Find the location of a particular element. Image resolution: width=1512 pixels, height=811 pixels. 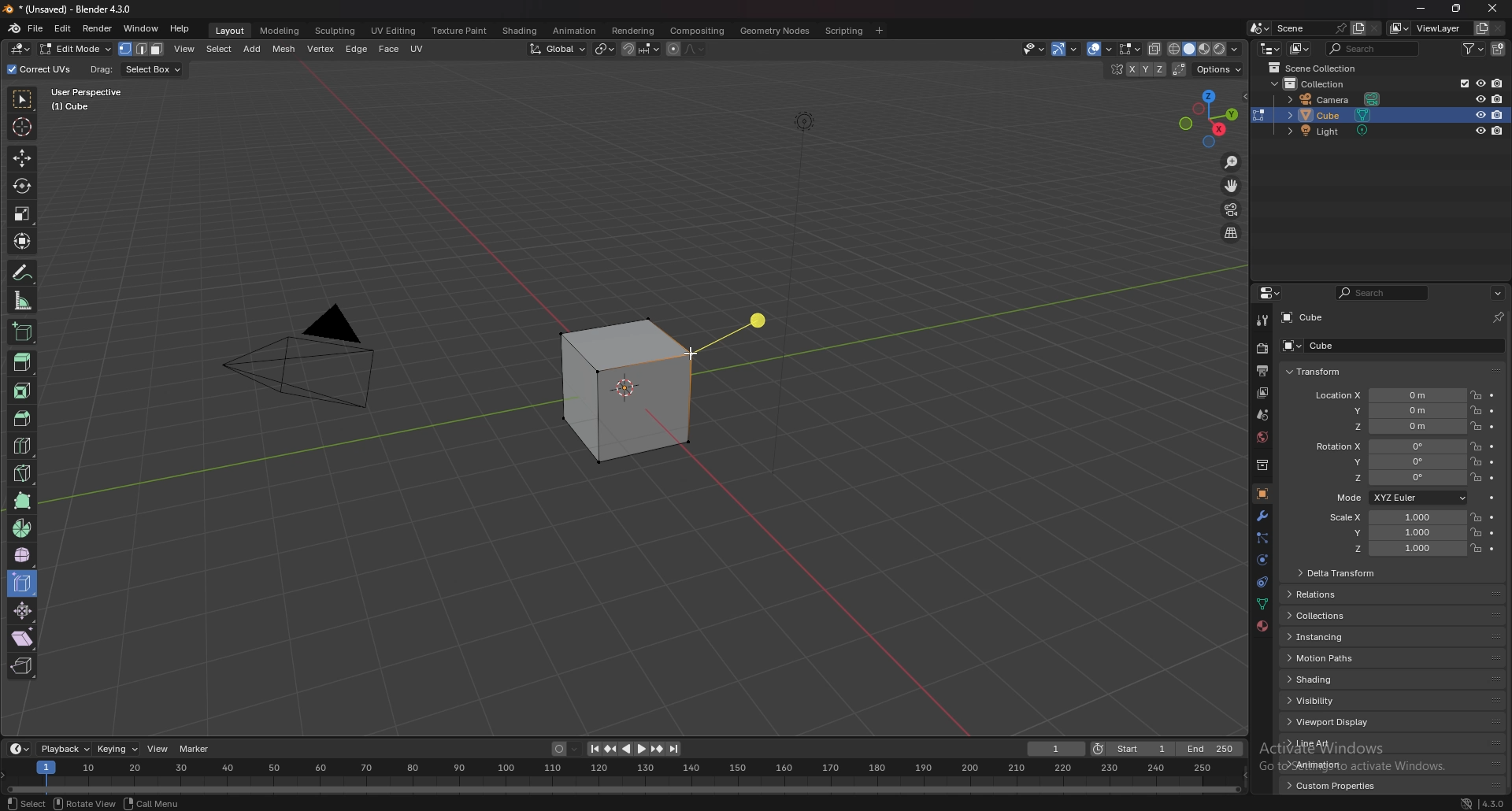

motion paths is located at coordinates (1324, 658).